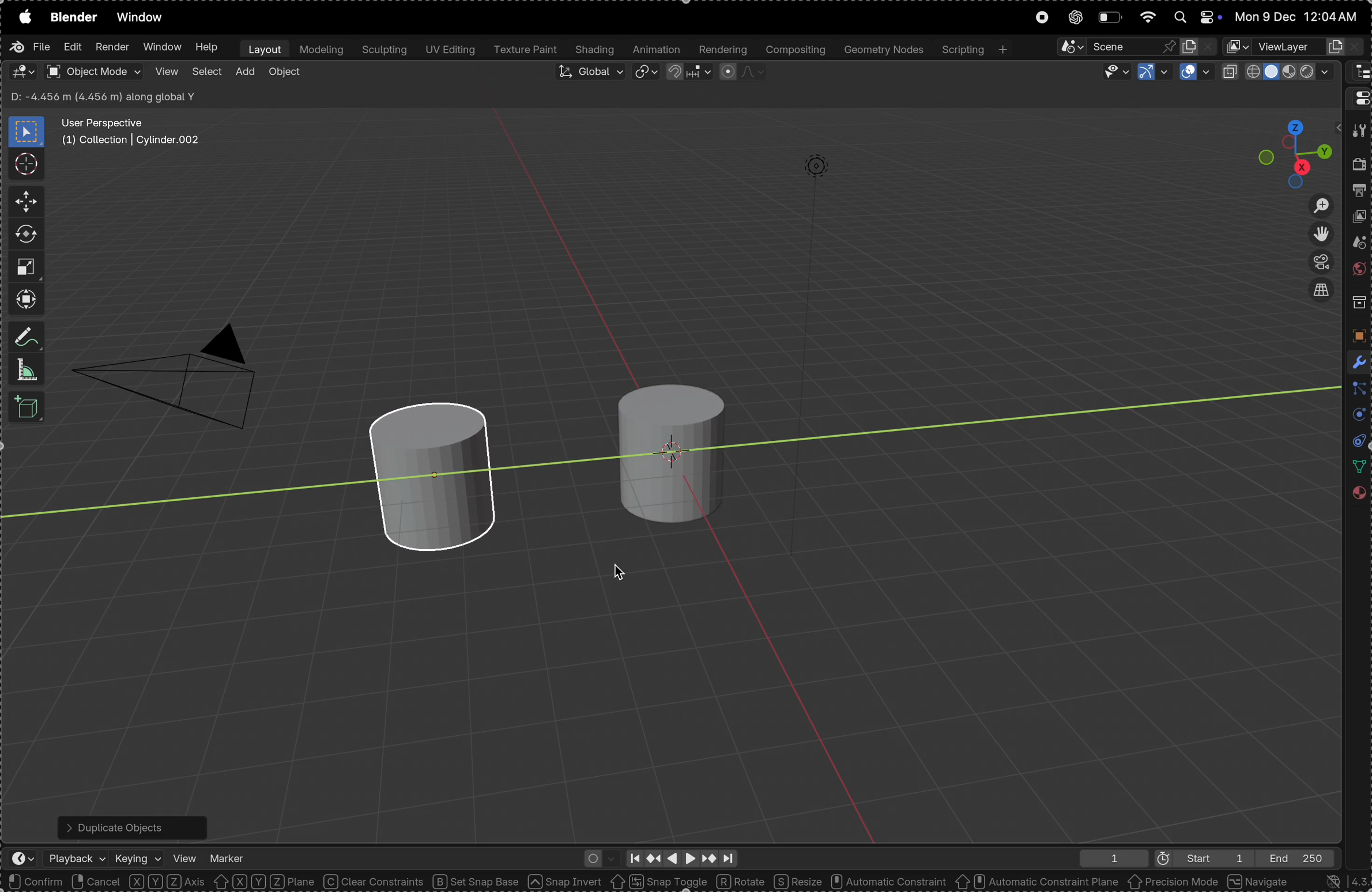 This screenshot has height=892, width=1372. I want to click on set snap base, so click(480, 882).